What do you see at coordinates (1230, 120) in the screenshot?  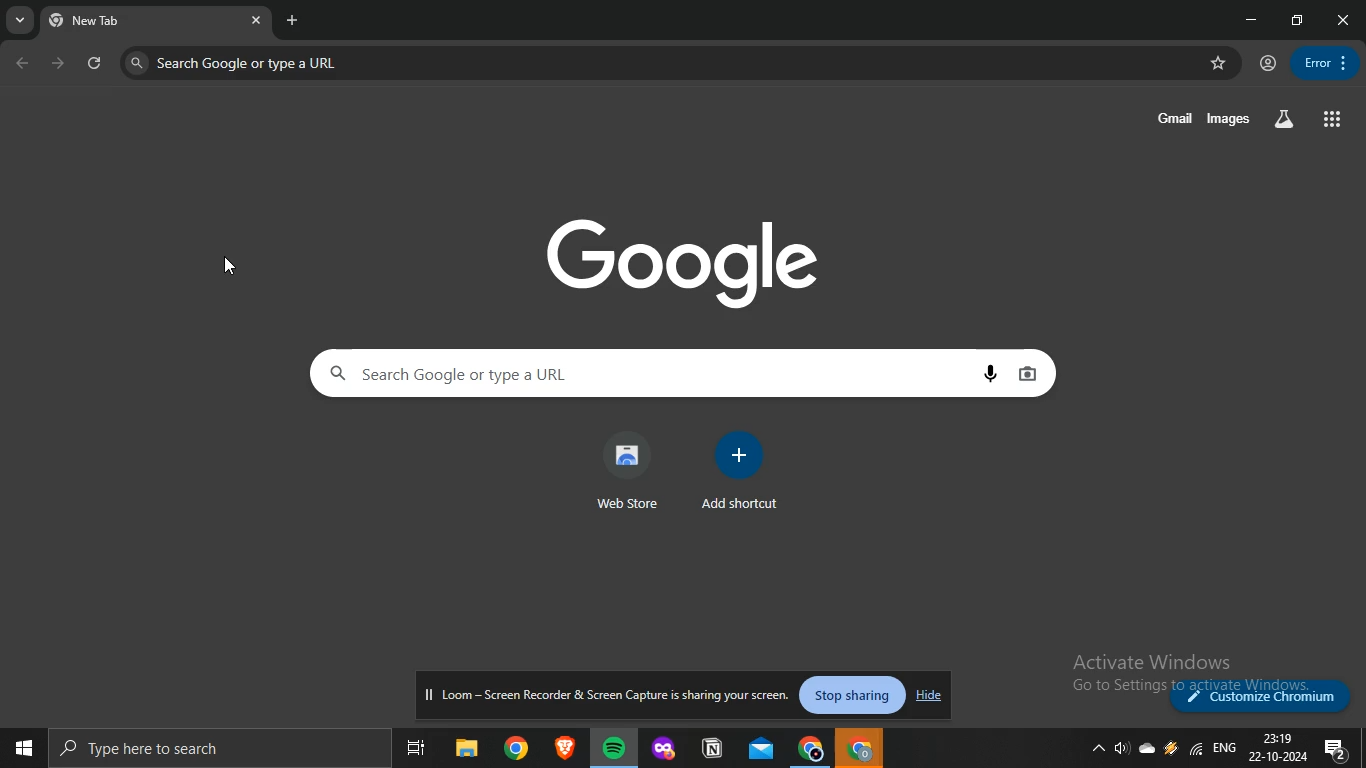 I see `images` at bounding box center [1230, 120].